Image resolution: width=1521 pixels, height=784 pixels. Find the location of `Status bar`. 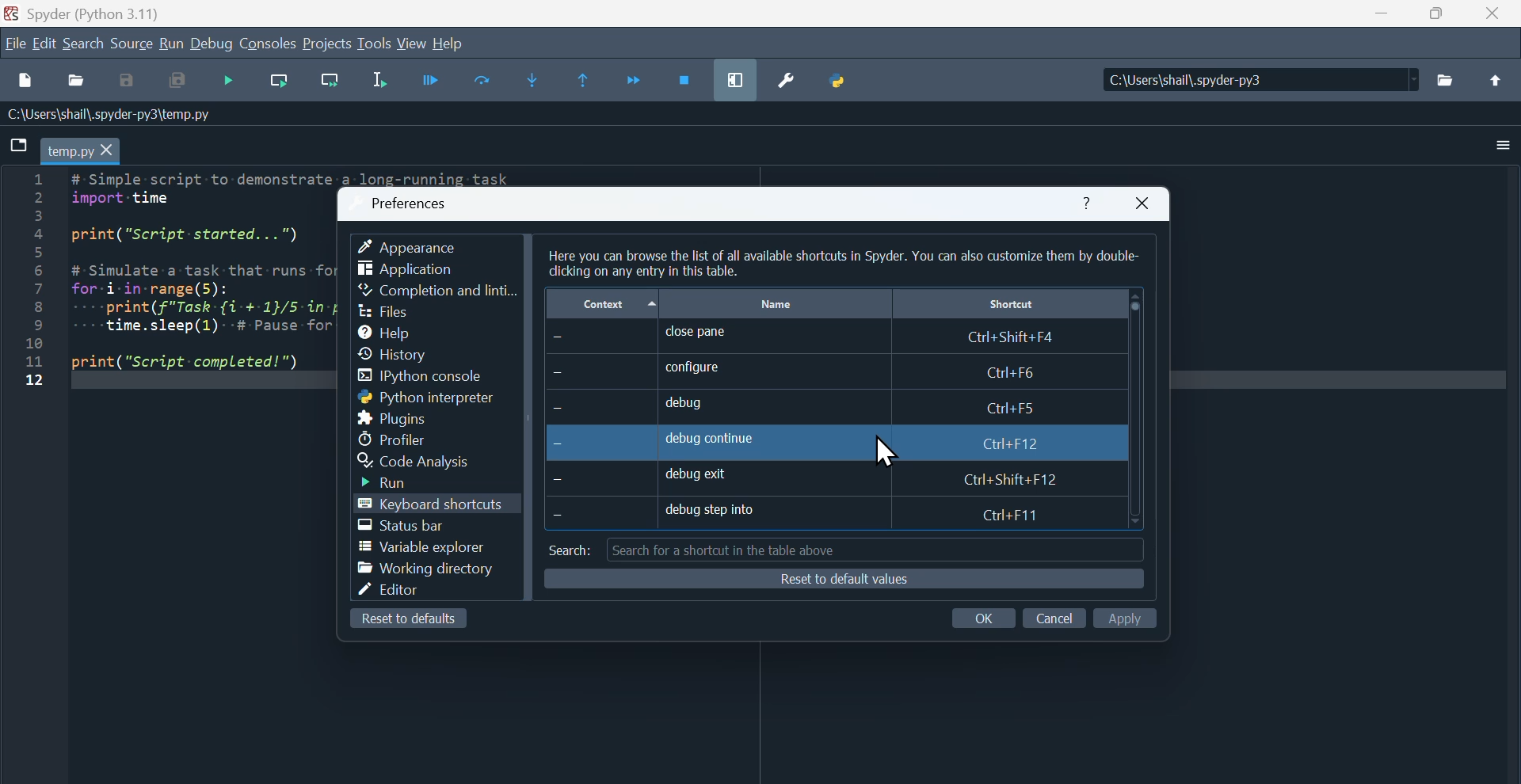

Status bar is located at coordinates (410, 526).